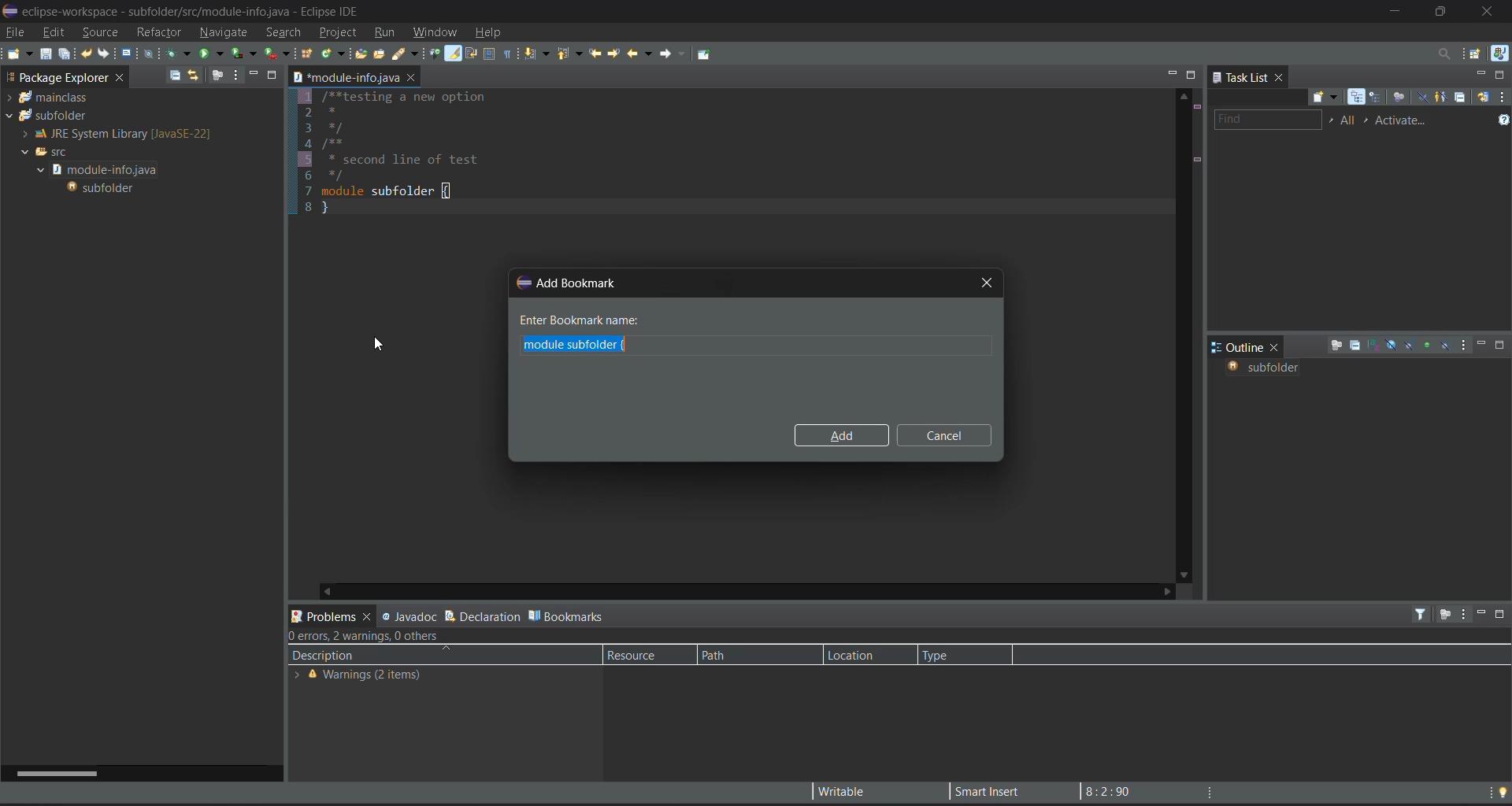 The width and height of the screenshot is (1512, 806). I want to click on new java package, so click(308, 56).